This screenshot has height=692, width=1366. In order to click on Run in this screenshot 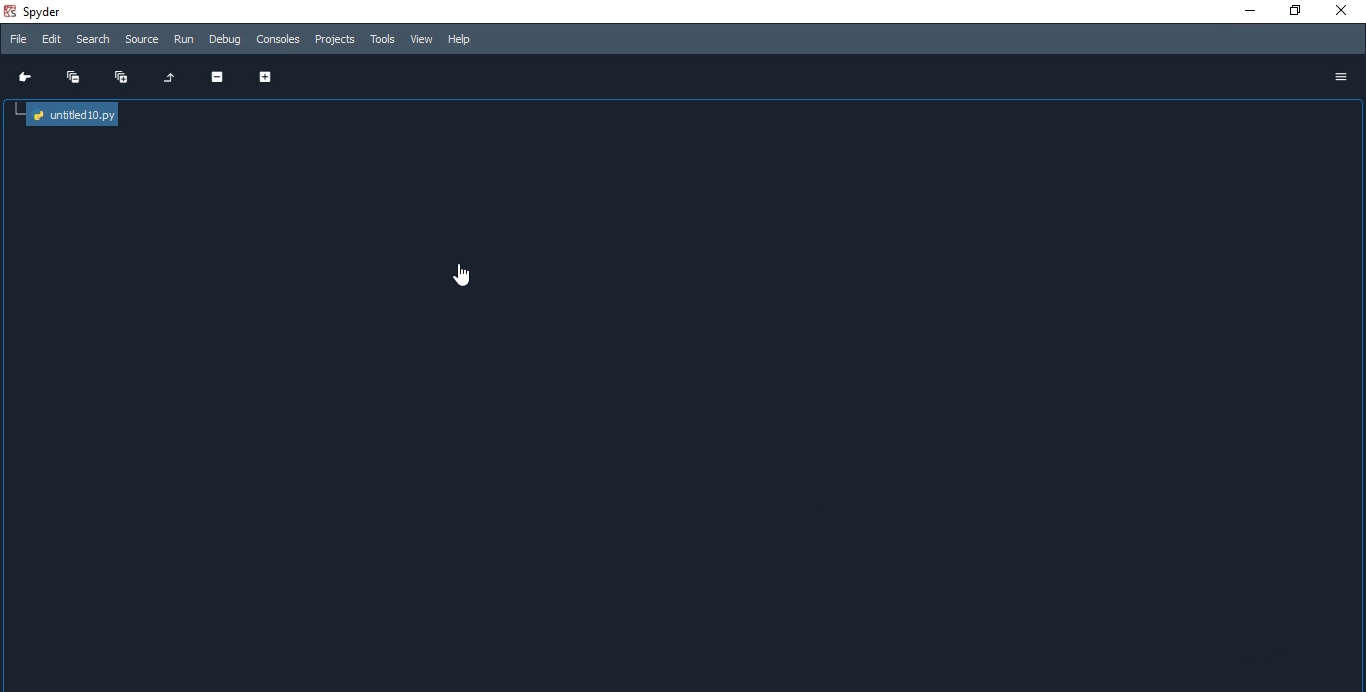, I will do `click(186, 40)`.